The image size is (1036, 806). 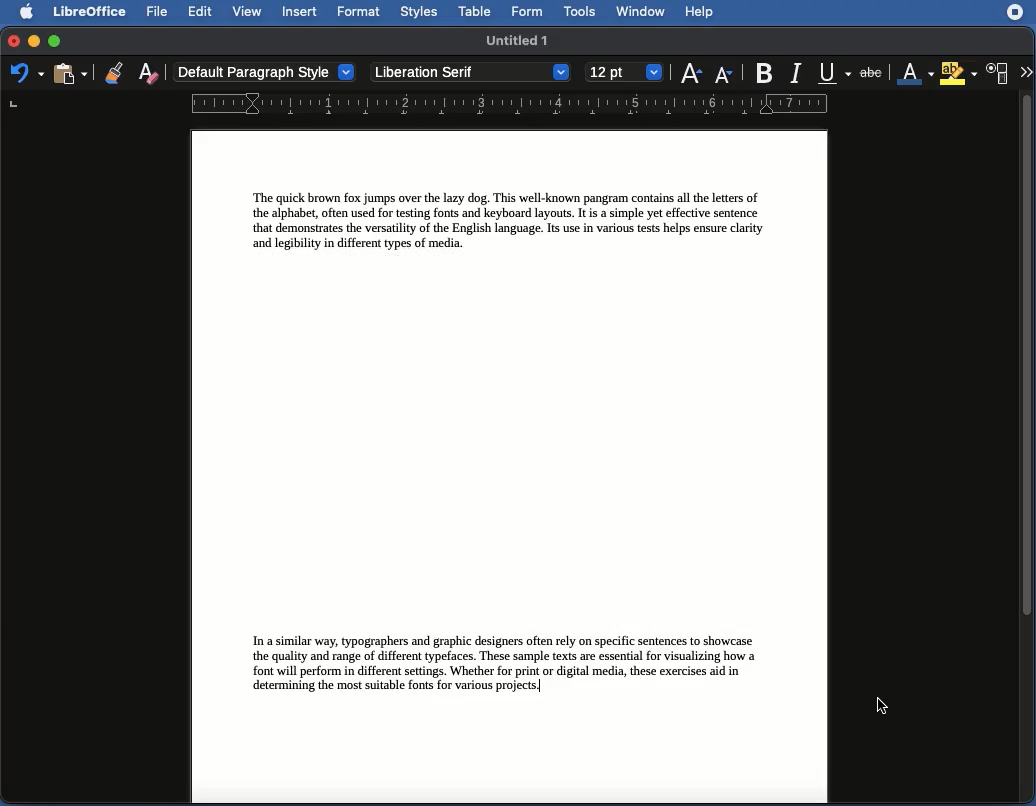 What do you see at coordinates (265, 73) in the screenshot?
I see `Default paragraph styl` at bounding box center [265, 73].